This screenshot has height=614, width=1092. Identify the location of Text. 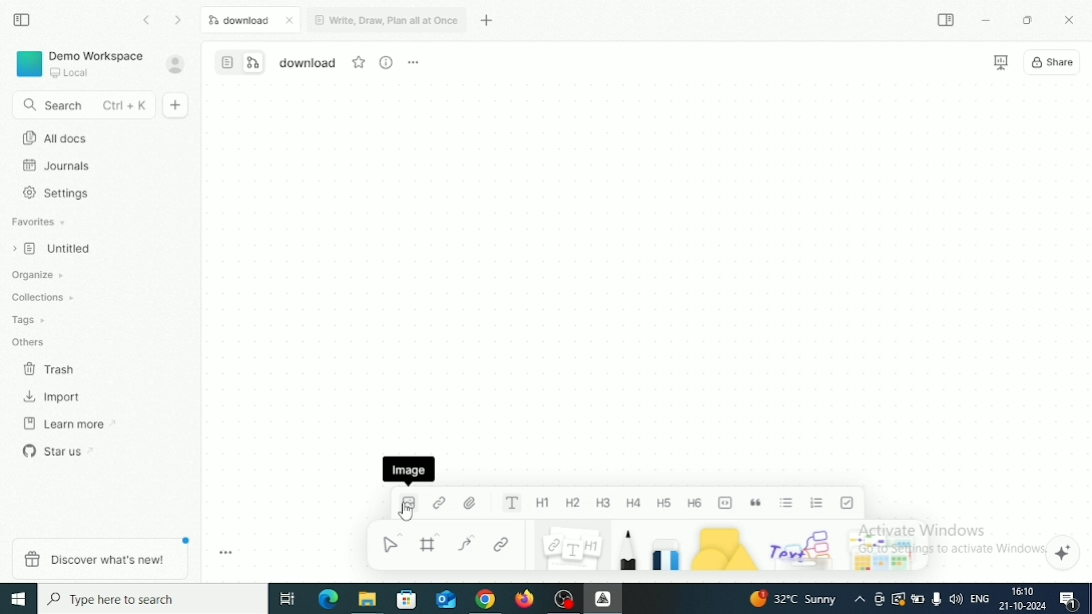
(512, 503).